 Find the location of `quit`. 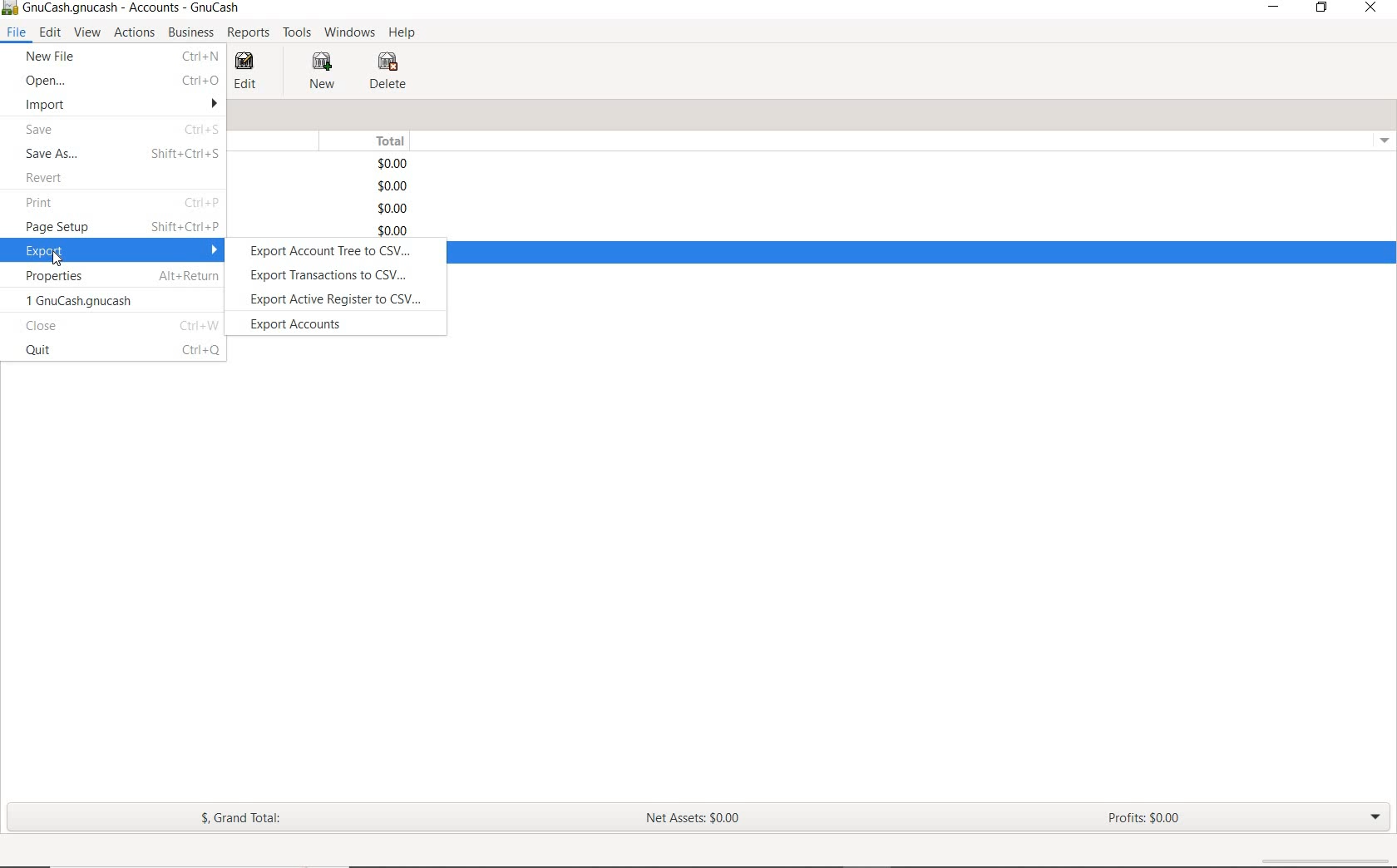

quit is located at coordinates (41, 349).